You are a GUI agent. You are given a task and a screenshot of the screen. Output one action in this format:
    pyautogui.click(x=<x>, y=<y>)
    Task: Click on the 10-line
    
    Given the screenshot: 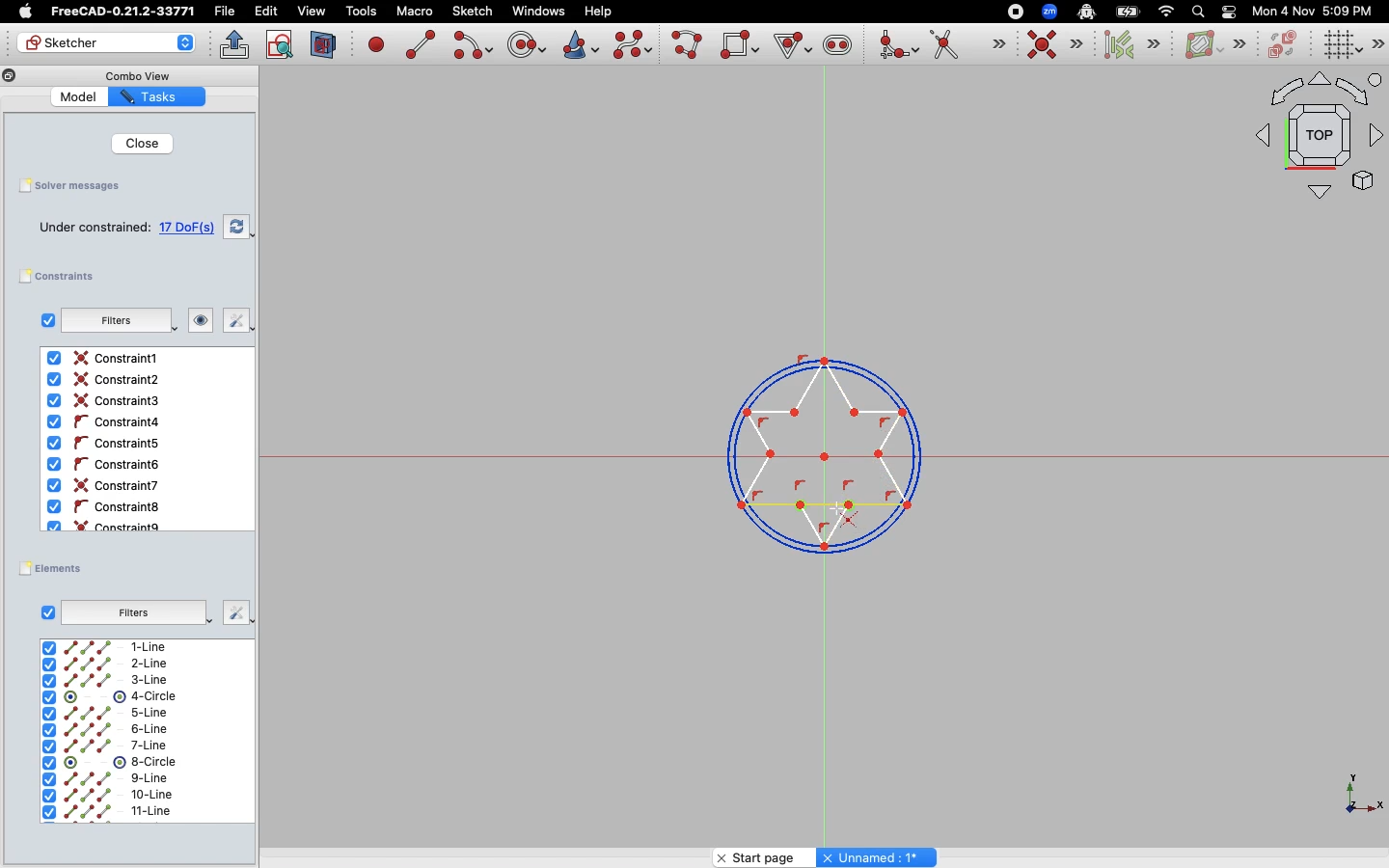 What is the action you would take?
    pyautogui.click(x=107, y=795)
    